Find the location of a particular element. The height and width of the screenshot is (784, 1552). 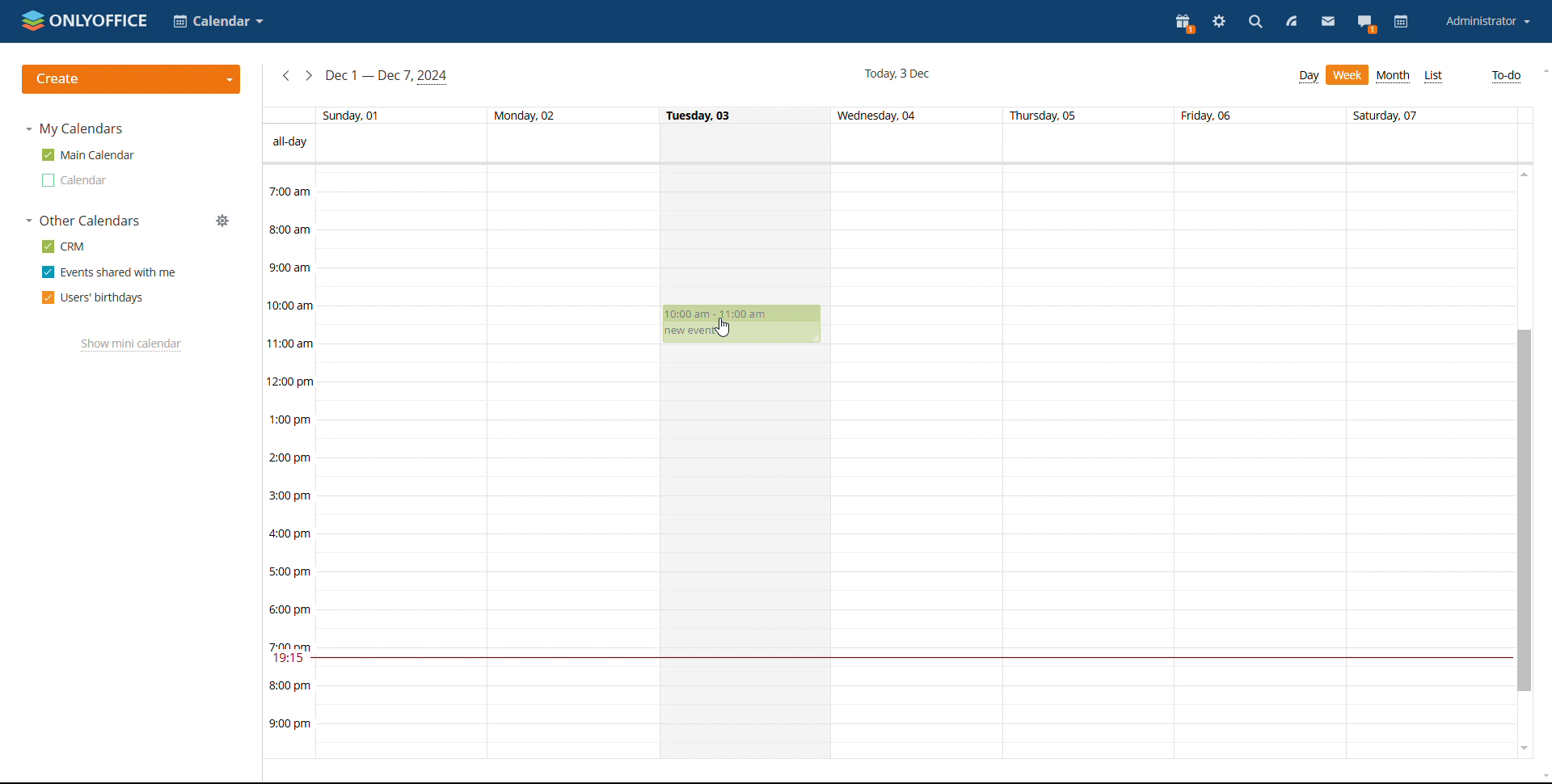

Show mini calendar is located at coordinates (129, 345).